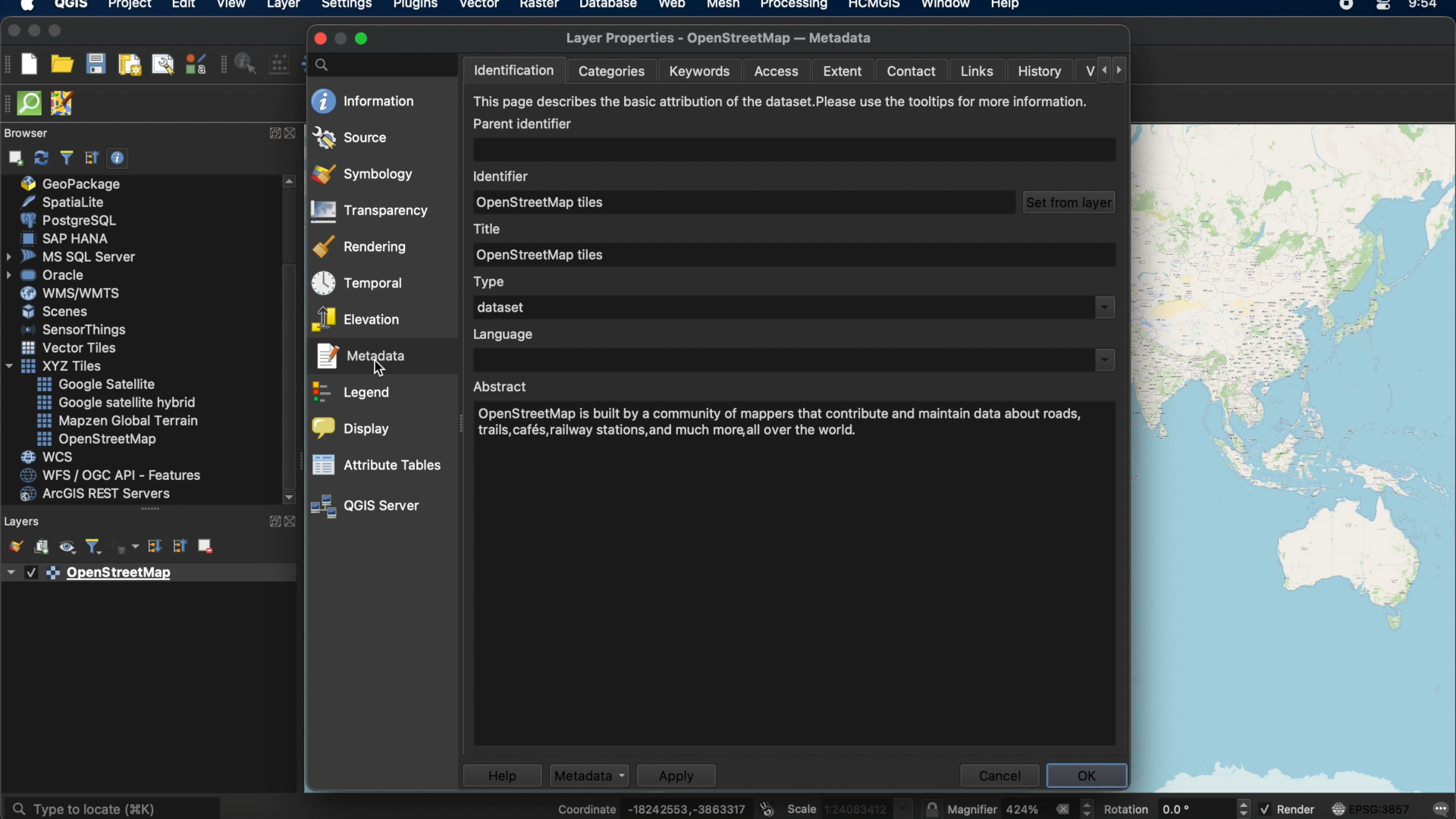 This screenshot has width=1456, height=819. Describe the element at coordinates (62, 64) in the screenshot. I see `open project` at that location.